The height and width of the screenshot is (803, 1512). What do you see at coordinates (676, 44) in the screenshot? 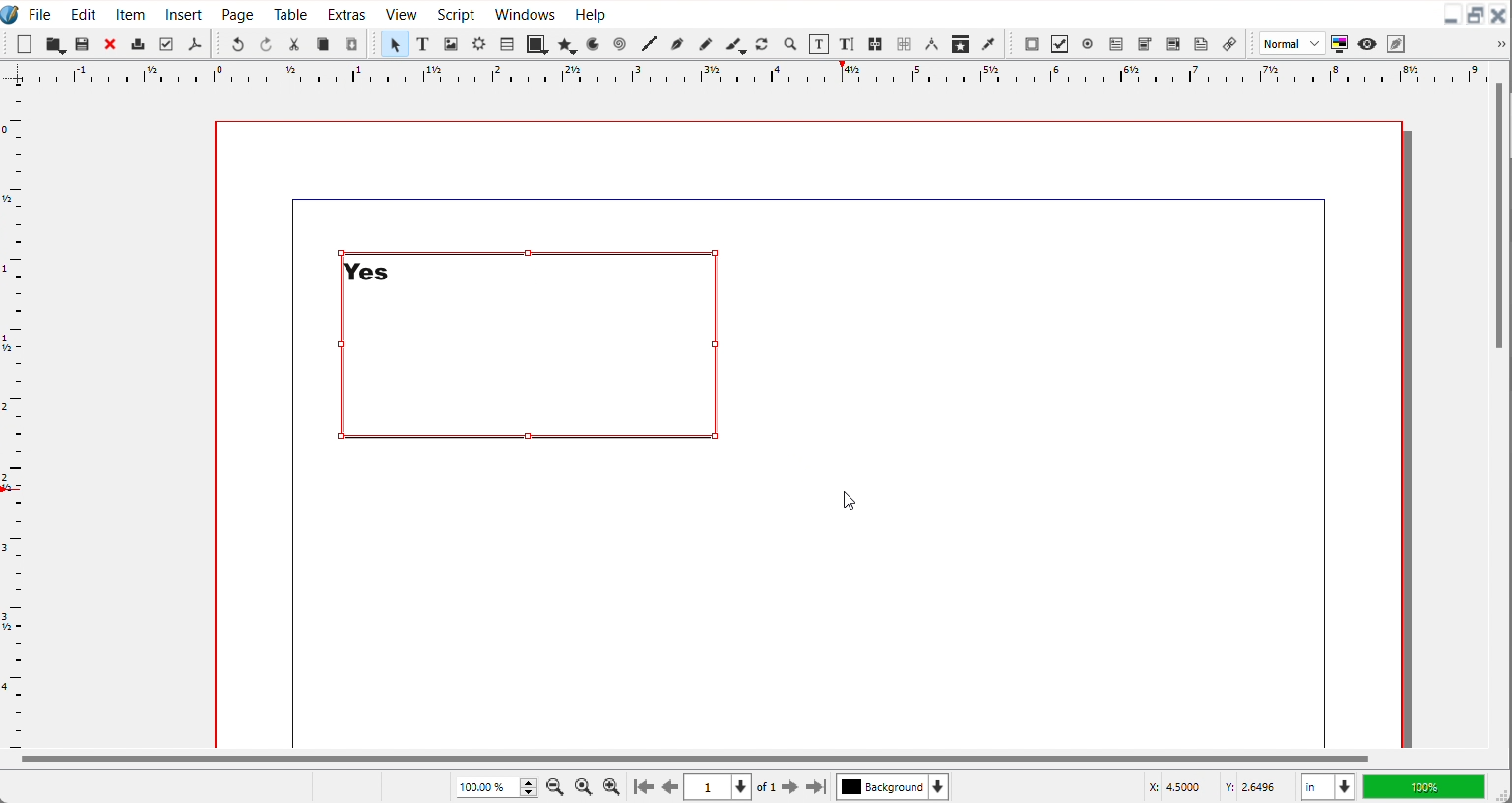
I see `Bezier curve` at bounding box center [676, 44].